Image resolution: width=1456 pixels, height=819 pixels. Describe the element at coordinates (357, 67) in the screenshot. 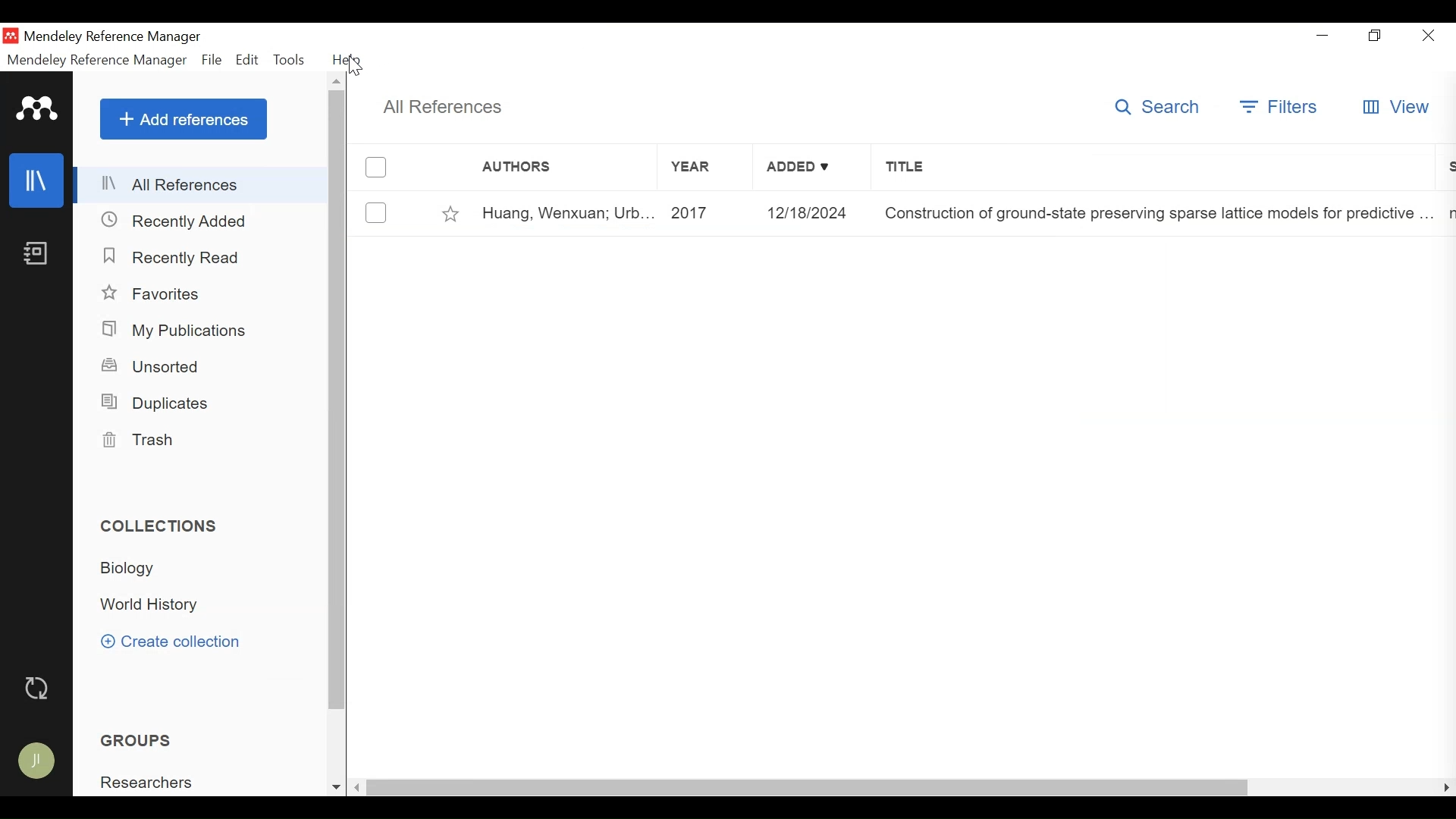

I see `Cursor` at that location.